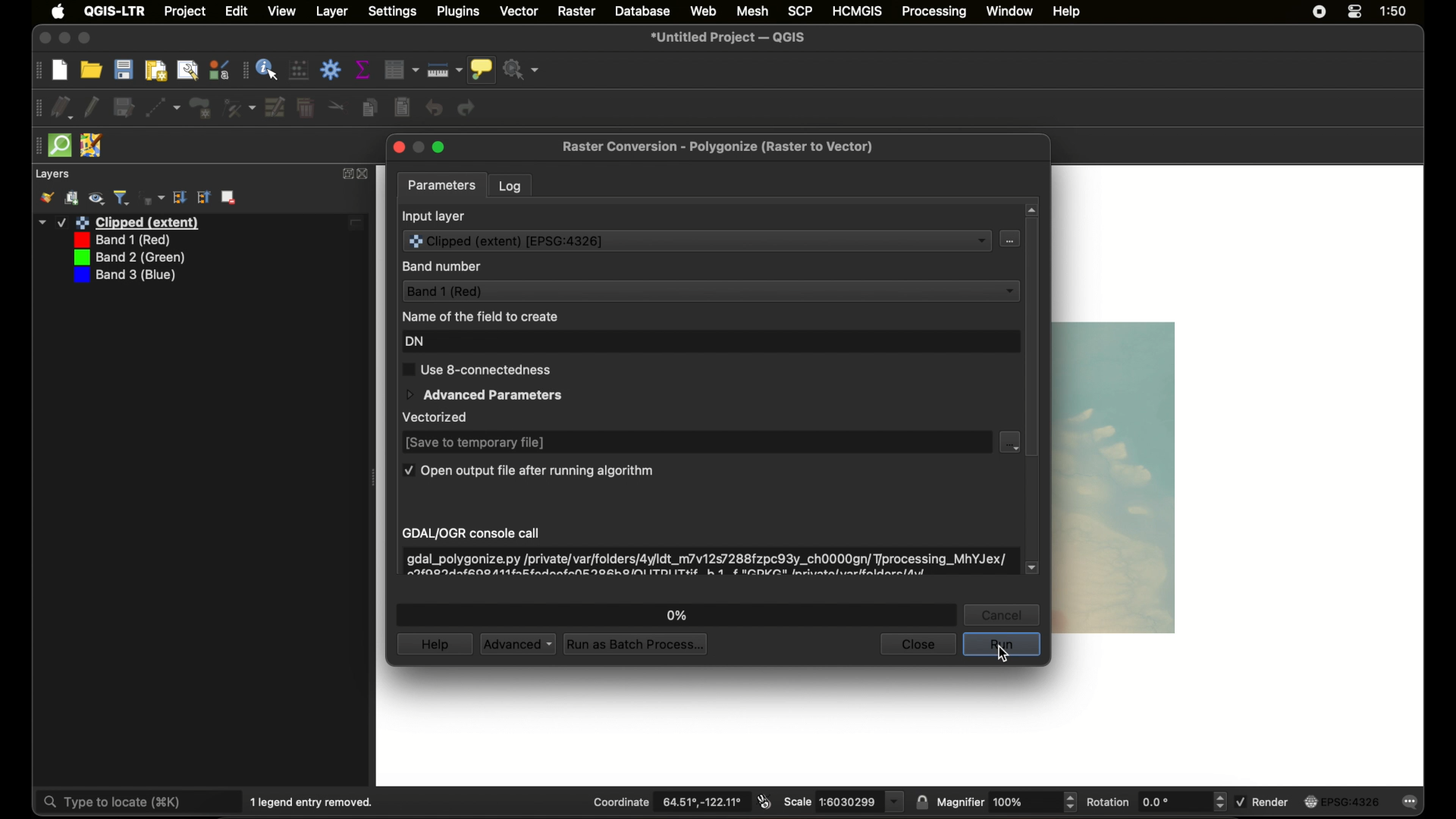 The image size is (1456, 819). I want to click on close, so click(397, 147).